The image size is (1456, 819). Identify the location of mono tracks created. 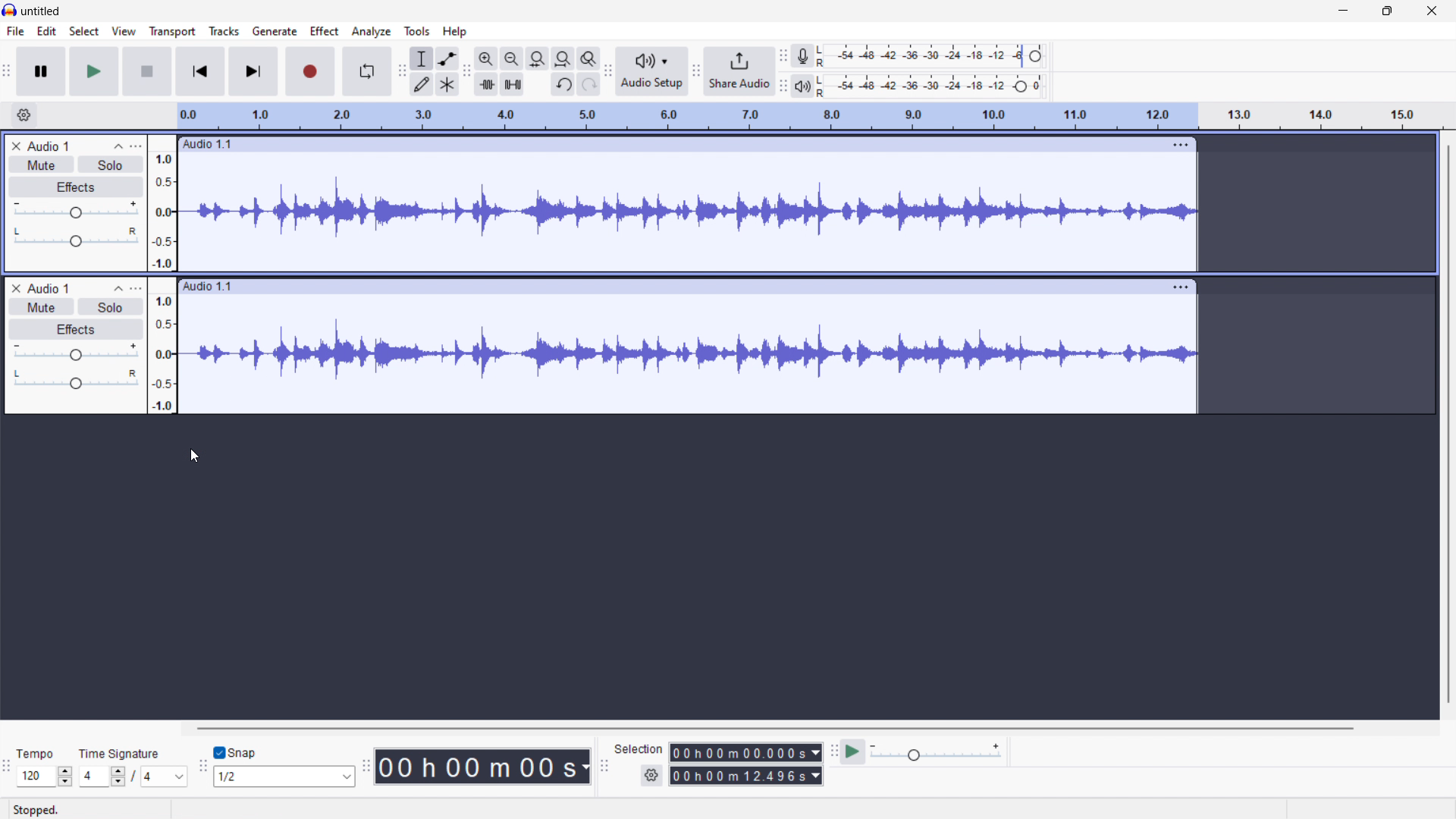
(692, 354).